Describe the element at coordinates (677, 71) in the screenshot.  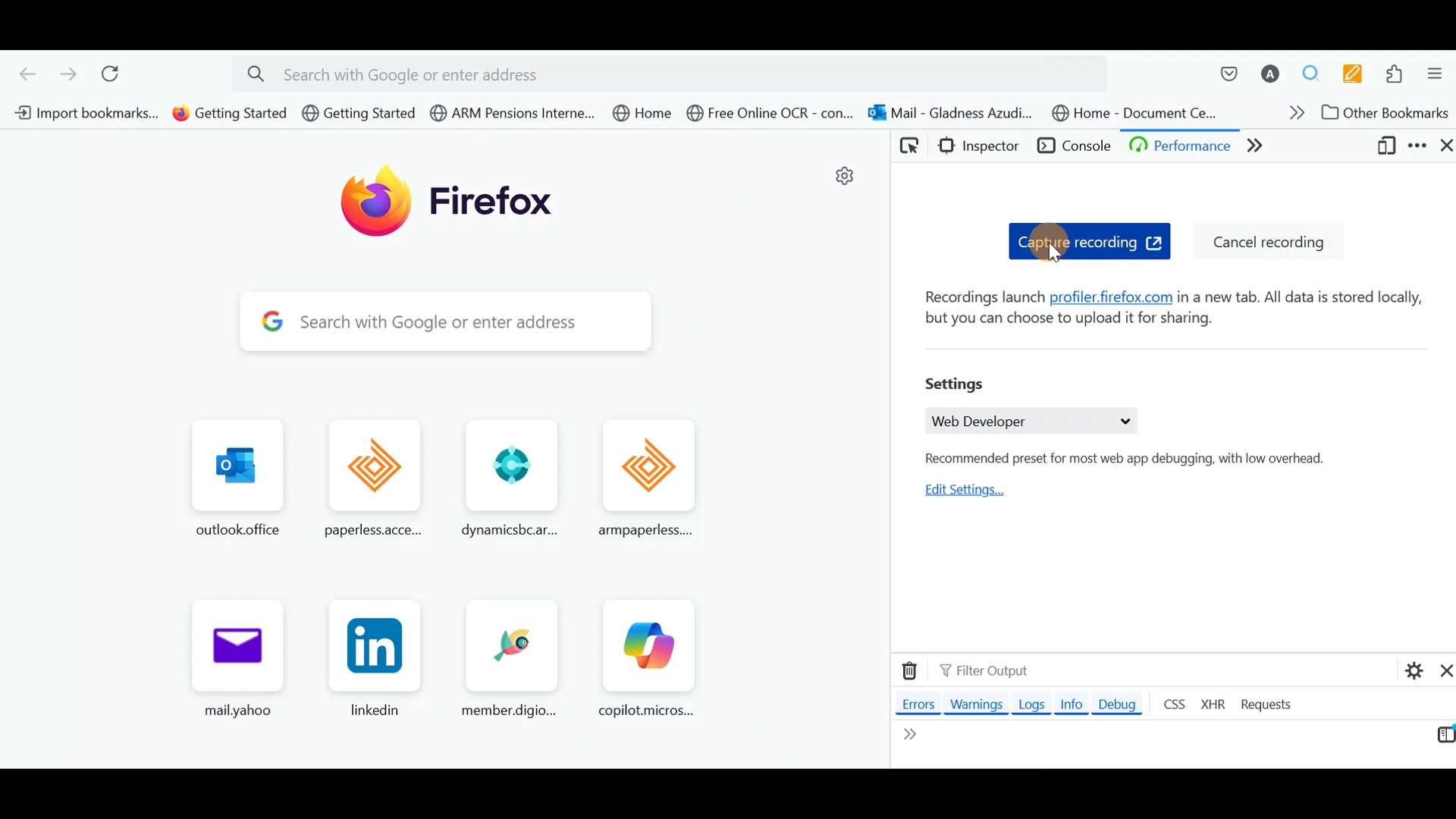
I see `Search bar` at that location.